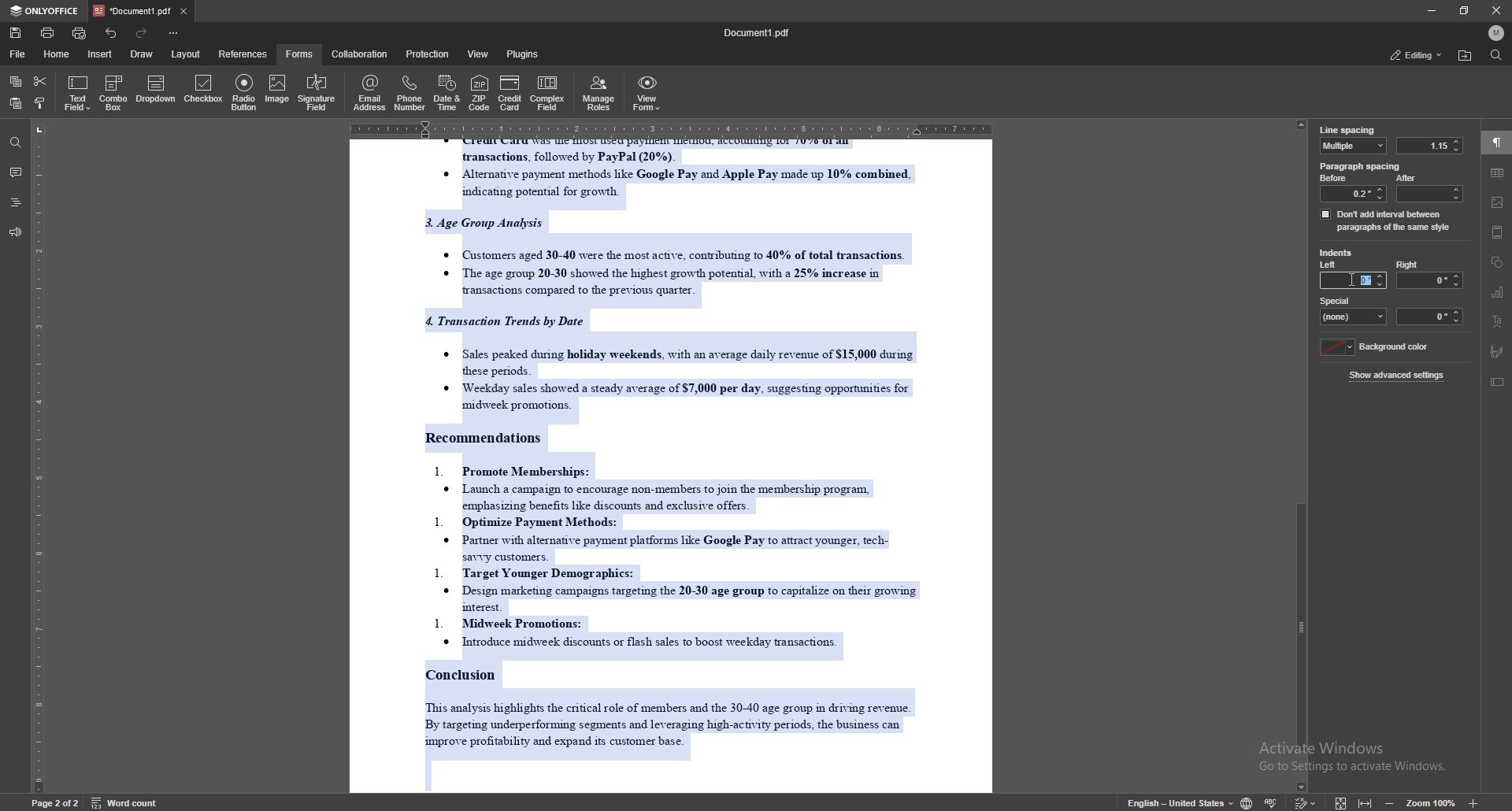  Describe the element at coordinates (48, 32) in the screenshot. I see `print` at that location.